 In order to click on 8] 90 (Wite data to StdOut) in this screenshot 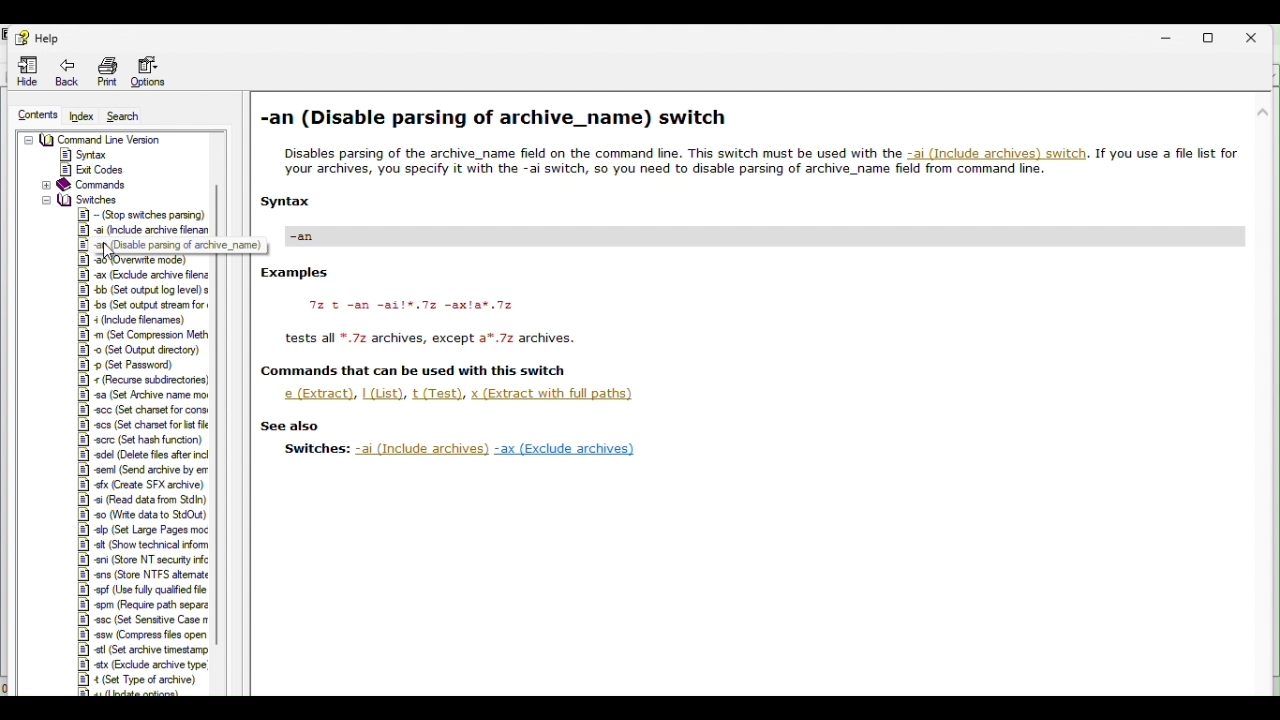, I will do `click(143, 514)`.